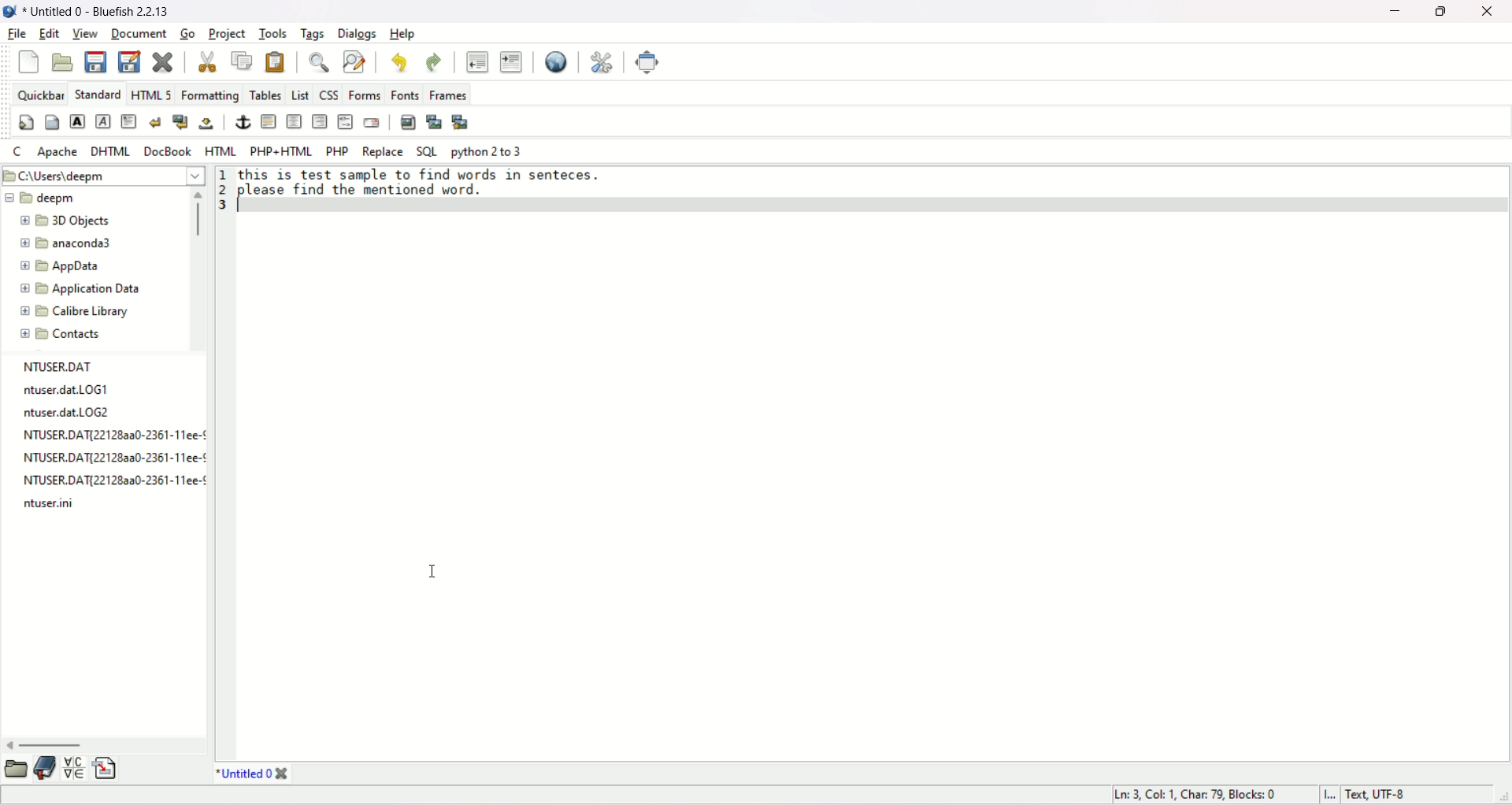  What do you see at coordinates (48, 502) in the screenshot?
I see `ntuser.ini` at bounding box center [48, 502].